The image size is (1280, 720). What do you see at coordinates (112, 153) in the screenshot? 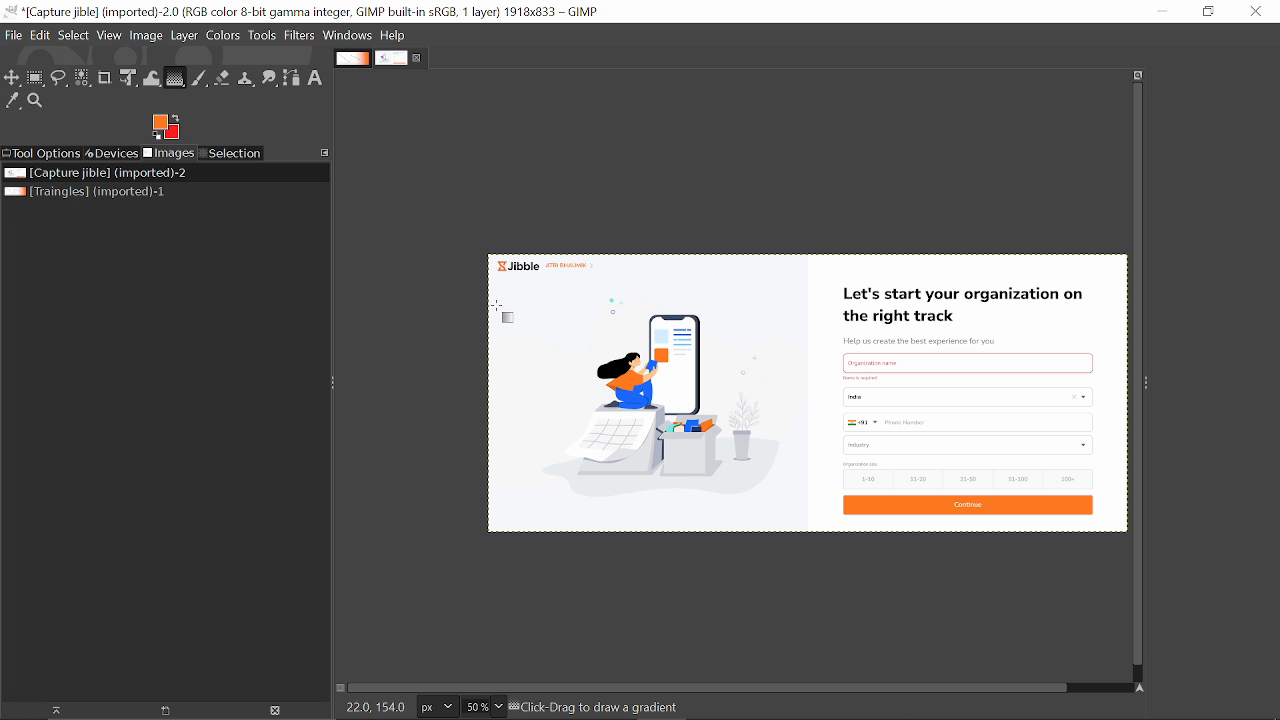
I see `Devices` at bounding box center [112, 153].